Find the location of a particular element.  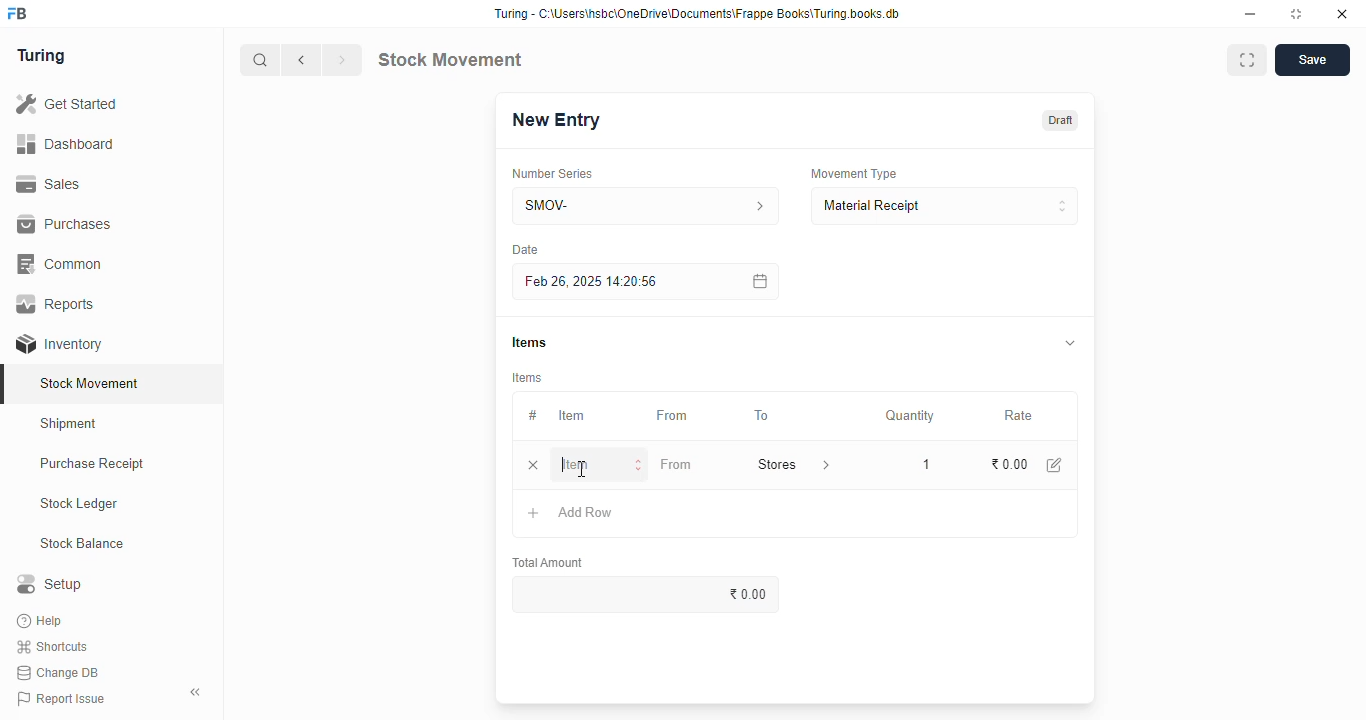

SMOV- is located at coordinates (647, 205).